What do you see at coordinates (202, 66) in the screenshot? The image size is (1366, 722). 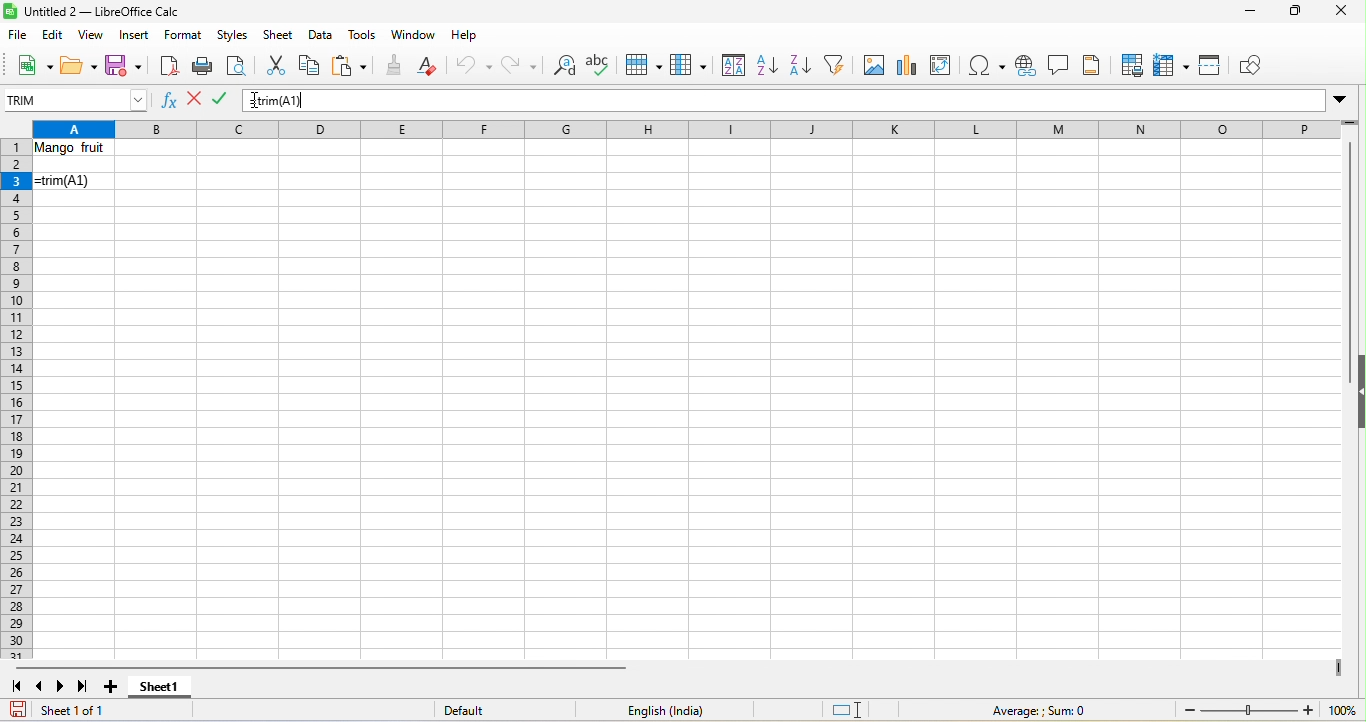 I see `print` at bounding box center [202, 66].